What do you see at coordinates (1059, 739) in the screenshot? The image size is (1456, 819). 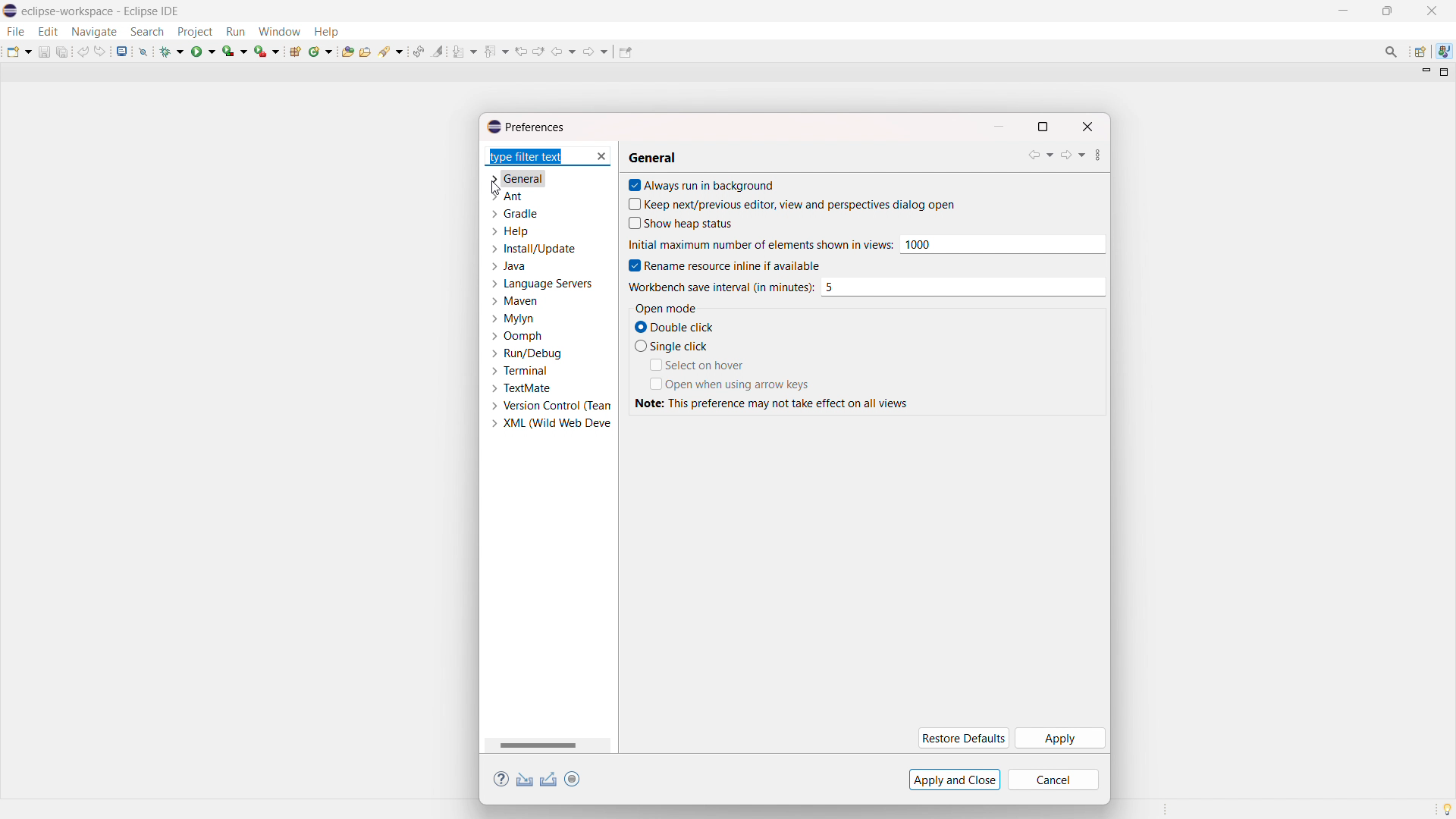 I see `apply` at bounding box center [1059, 739].